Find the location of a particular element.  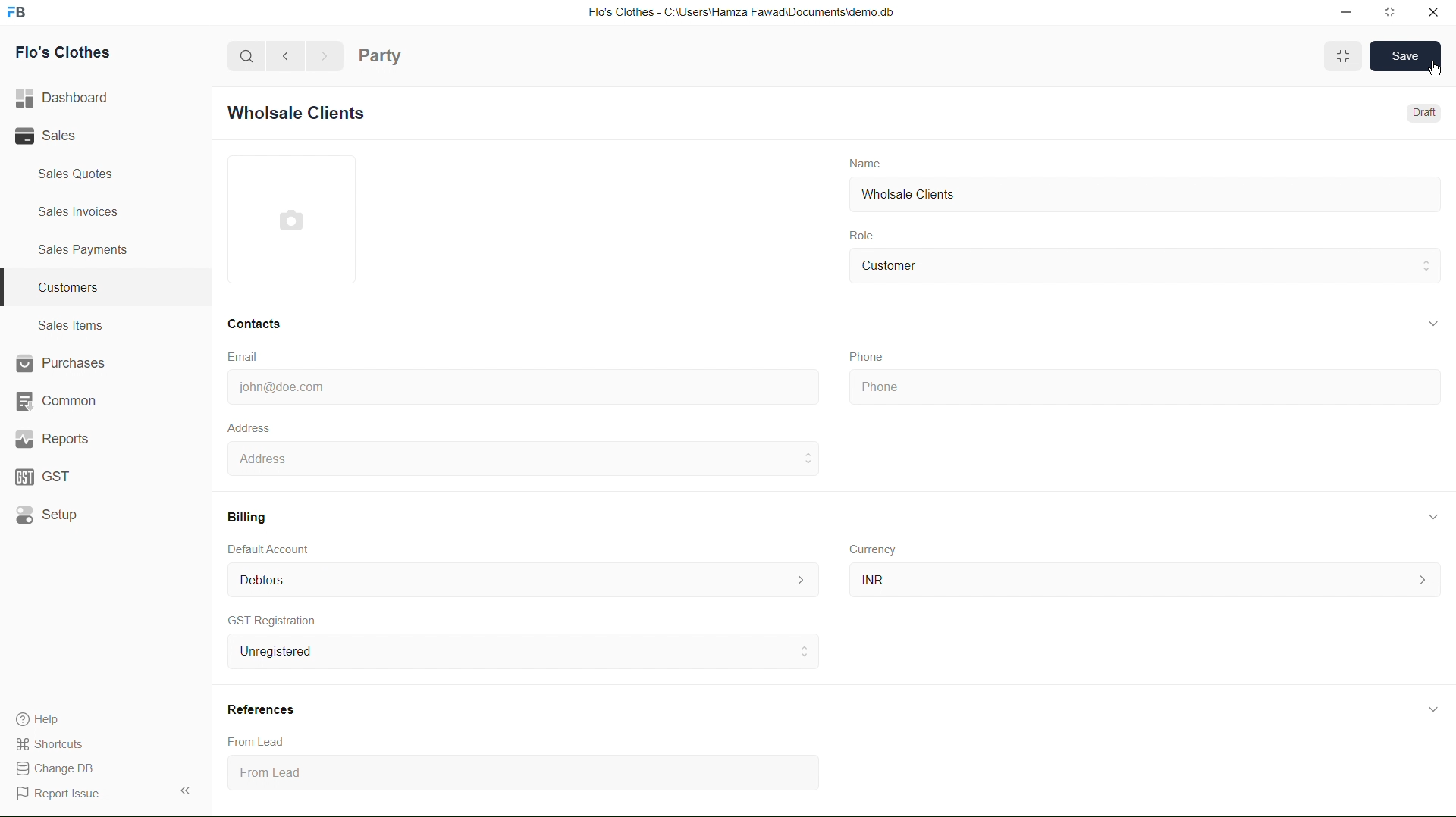

change DB is located at coordinates (55, 768).